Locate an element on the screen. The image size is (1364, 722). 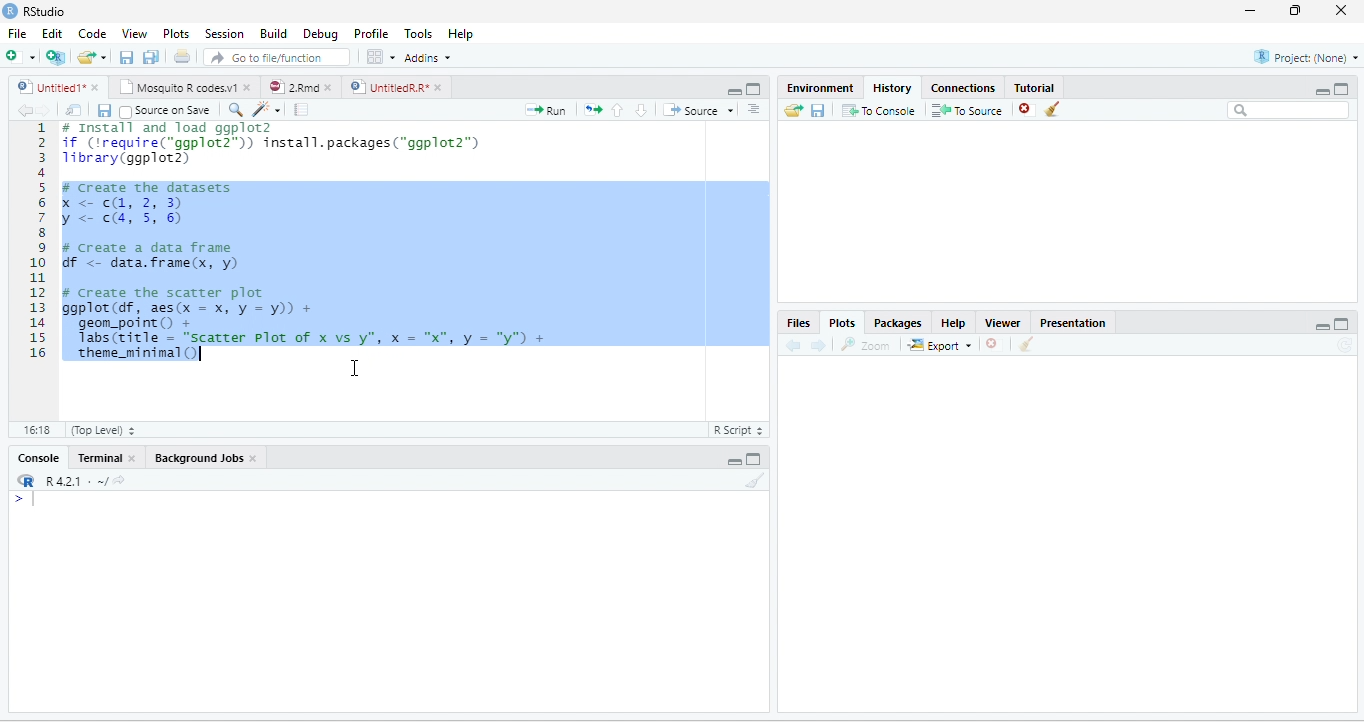
Untitled1* is located at coordinates (48, 87).